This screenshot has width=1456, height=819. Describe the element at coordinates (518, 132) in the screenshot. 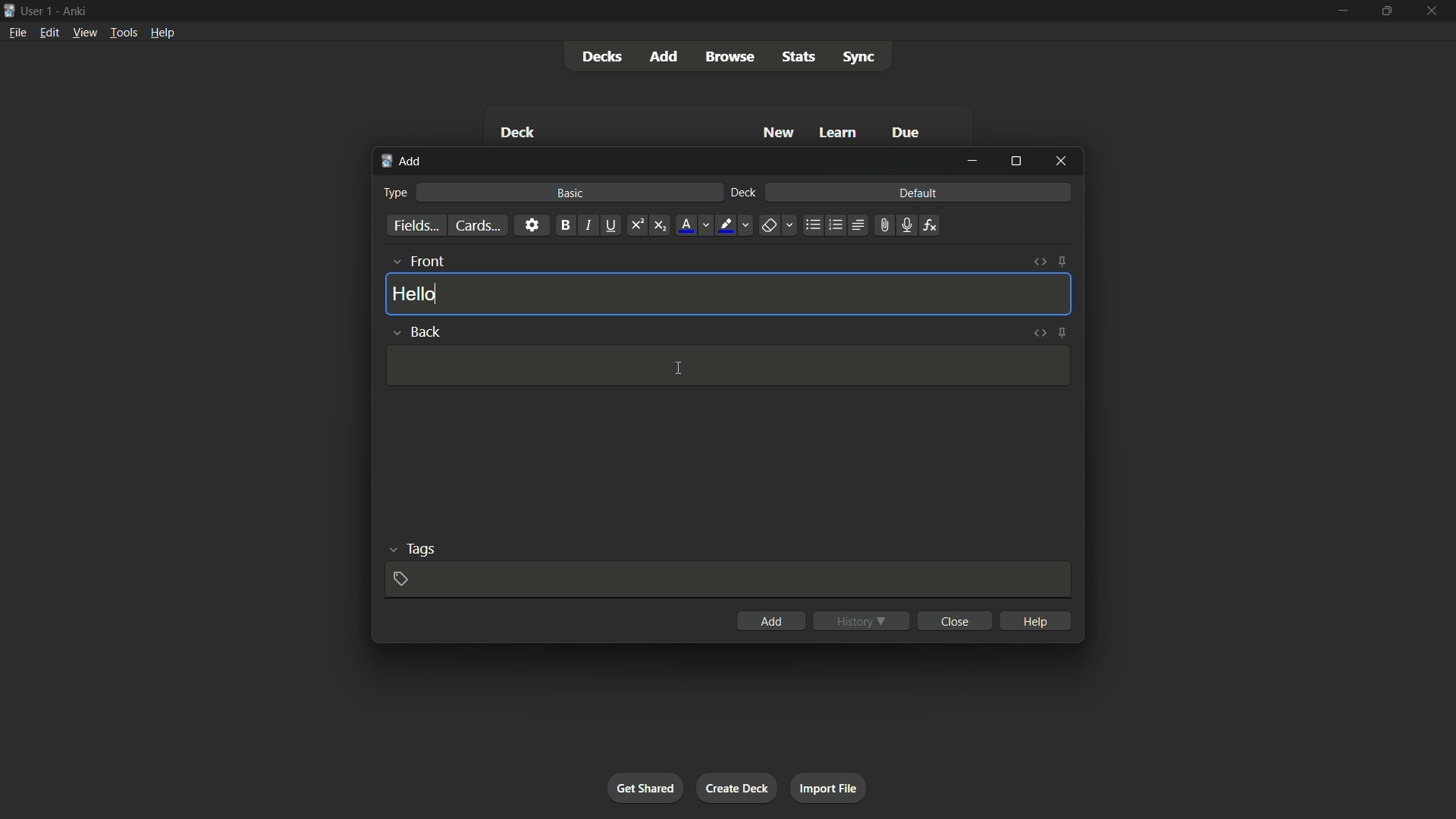

I see `deck` at that location.